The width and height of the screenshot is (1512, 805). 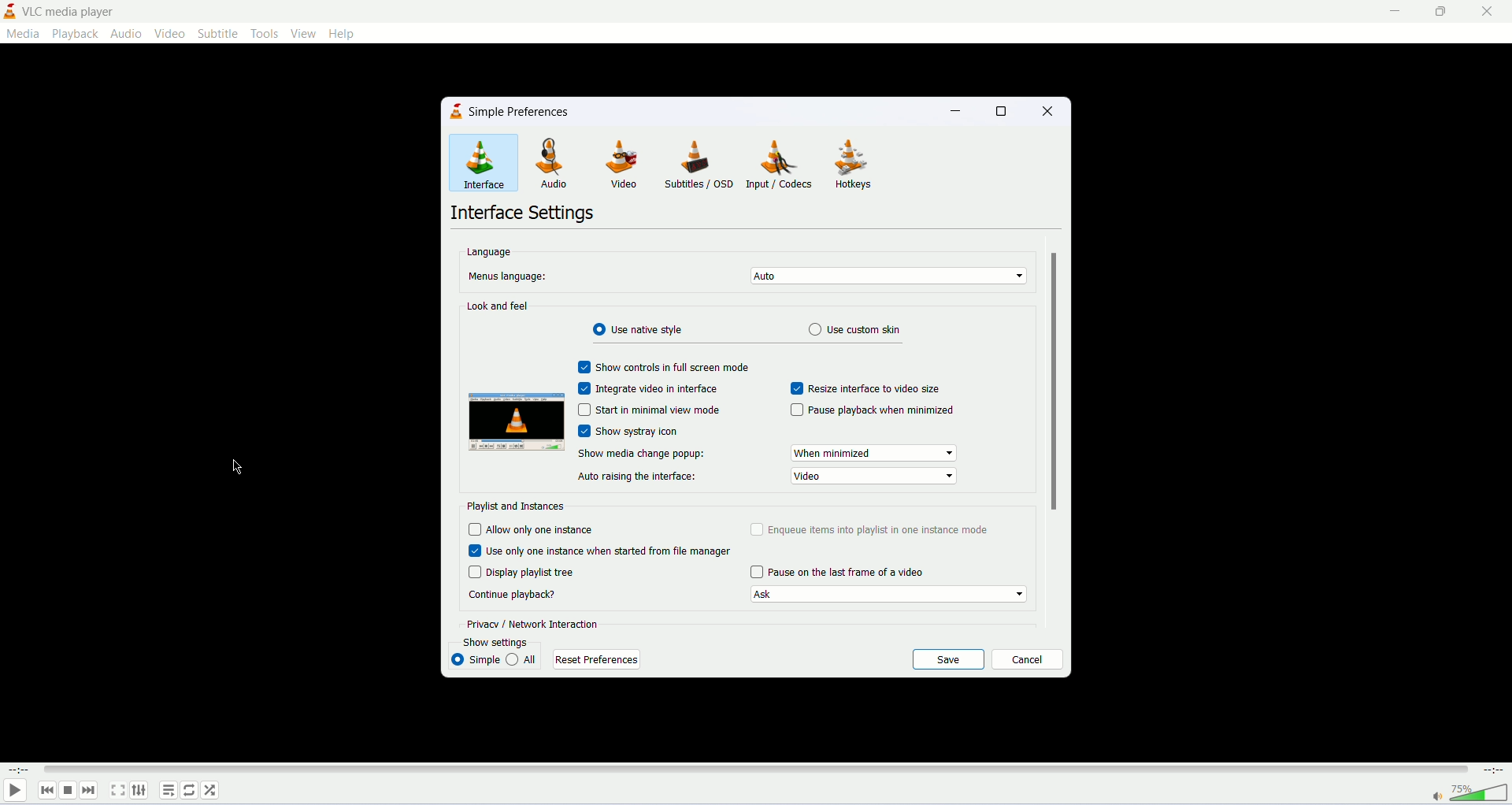 What do you see at coordinates (523, 109) in the screenshot?
I see `simple preferences` at bounding box center [523, 109].